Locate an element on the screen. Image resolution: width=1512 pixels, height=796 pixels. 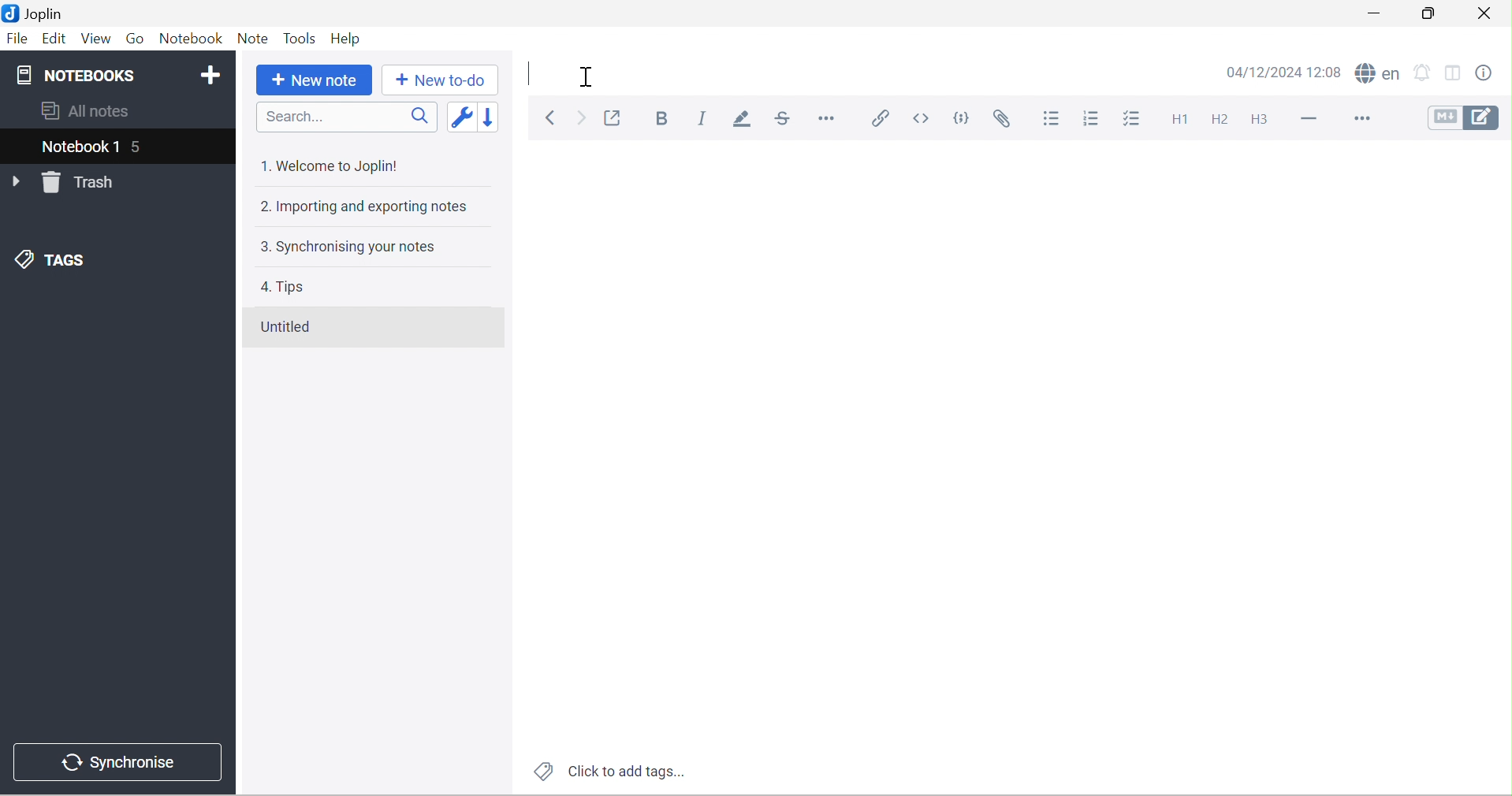
Heading 3 is located at coordinates (1257, 120).